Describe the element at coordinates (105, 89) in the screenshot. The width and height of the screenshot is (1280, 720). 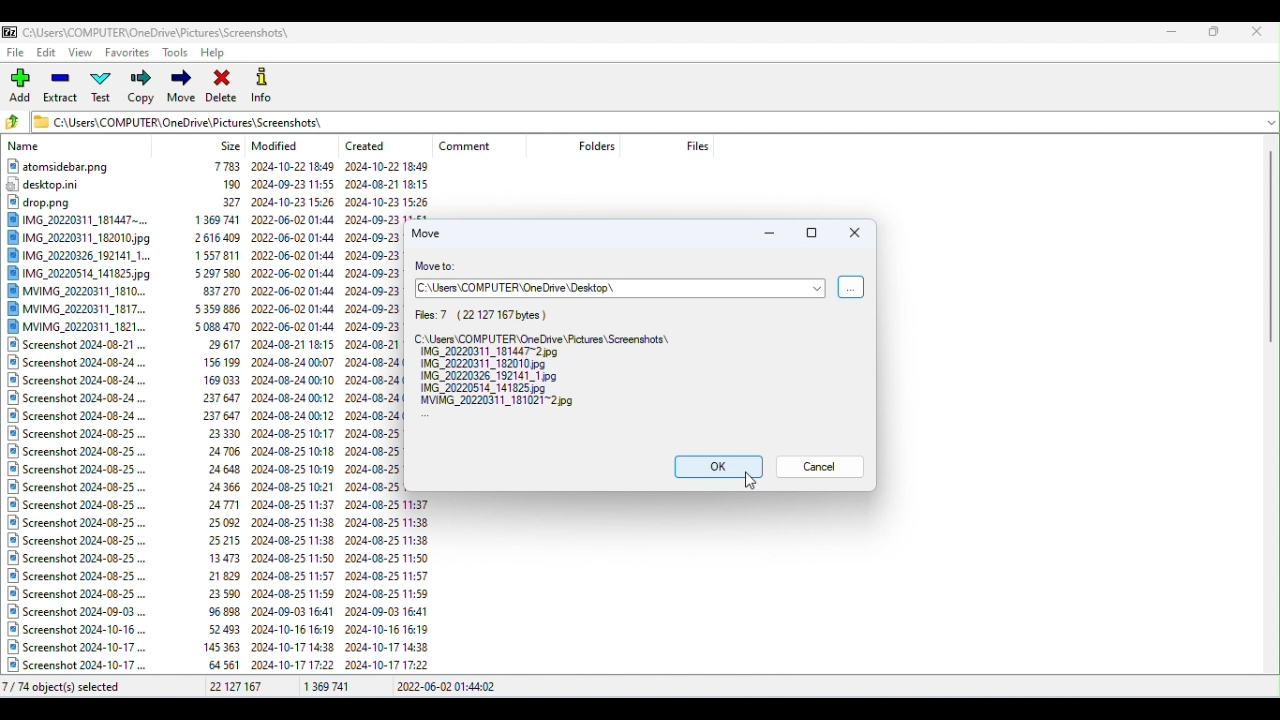
I see `Test` at that location.